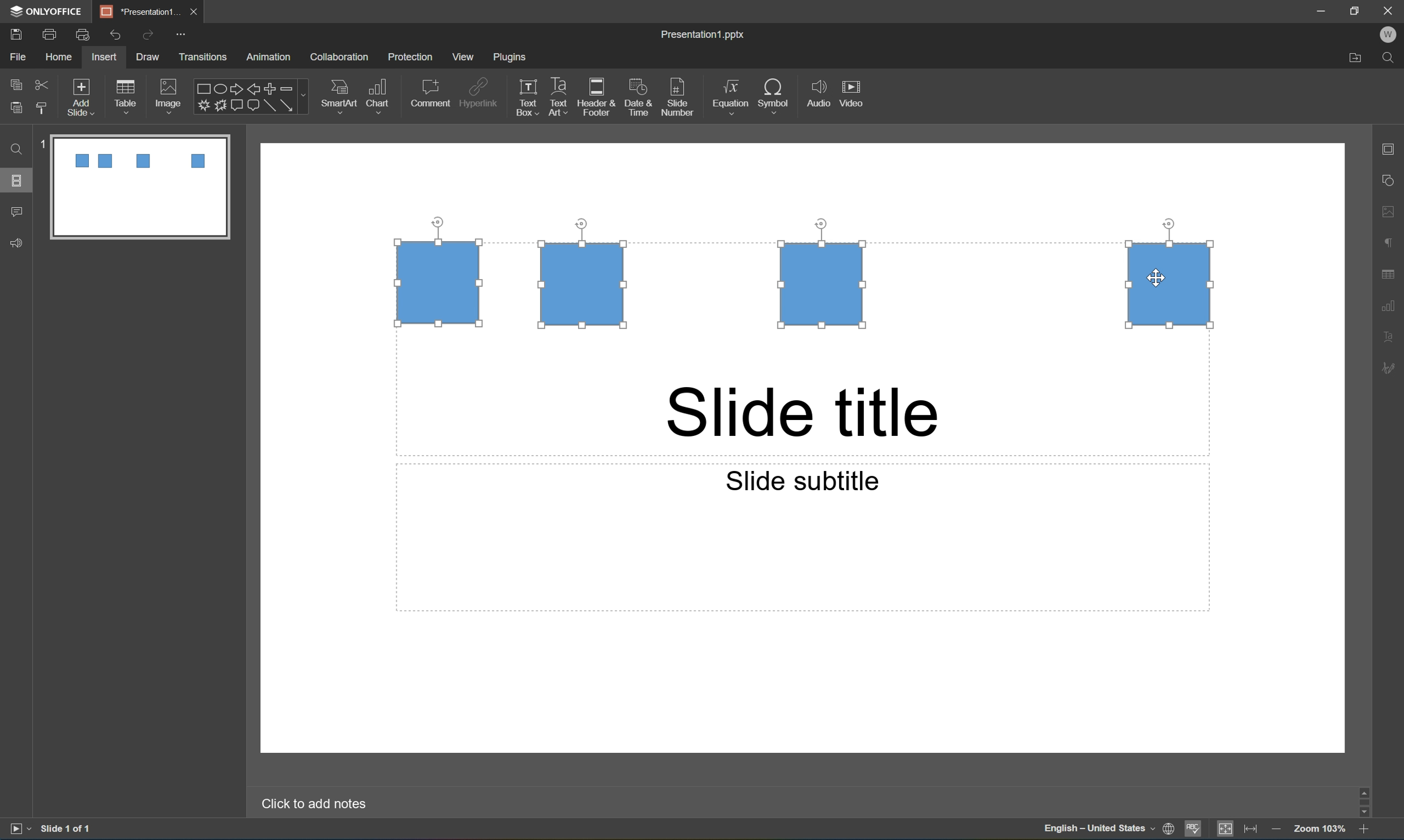  What do you see at coordinates (250, 96) in the screenshot?
I see `shapes` at bounding box center [250, 96].